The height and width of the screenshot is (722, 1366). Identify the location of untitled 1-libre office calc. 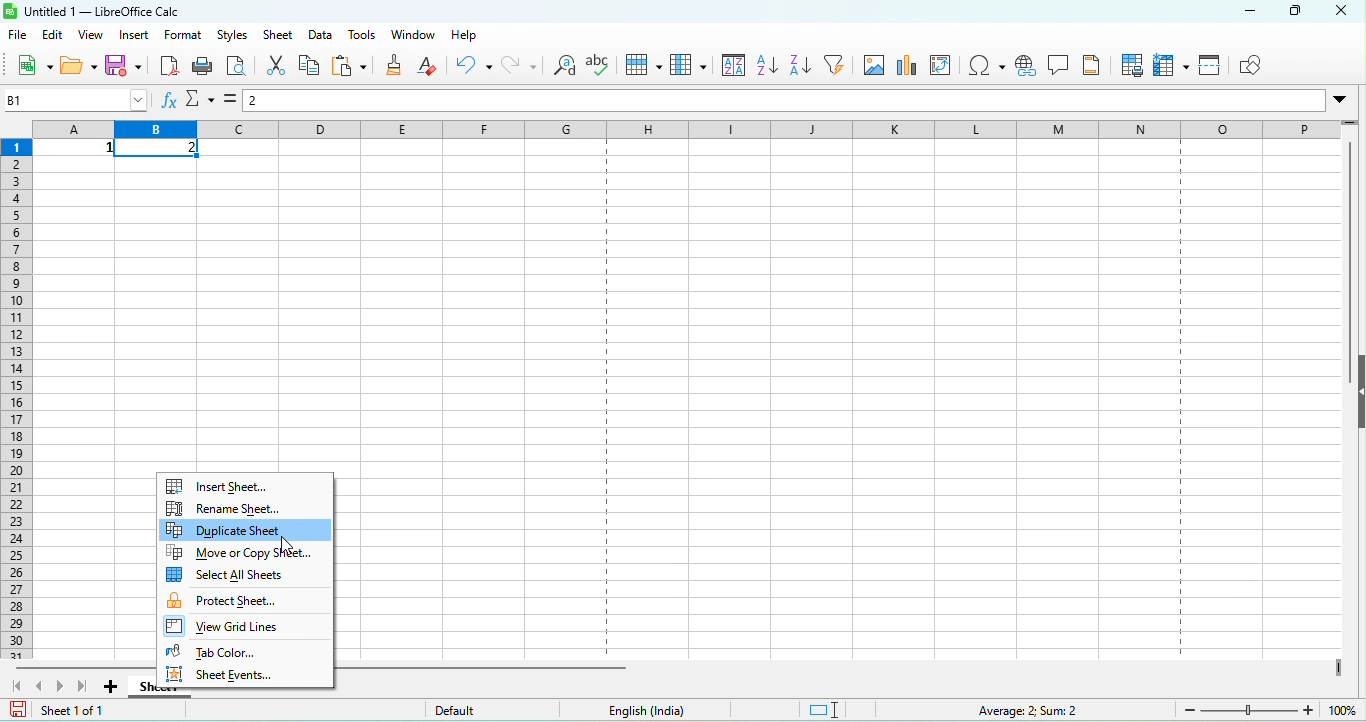
(102, 9).